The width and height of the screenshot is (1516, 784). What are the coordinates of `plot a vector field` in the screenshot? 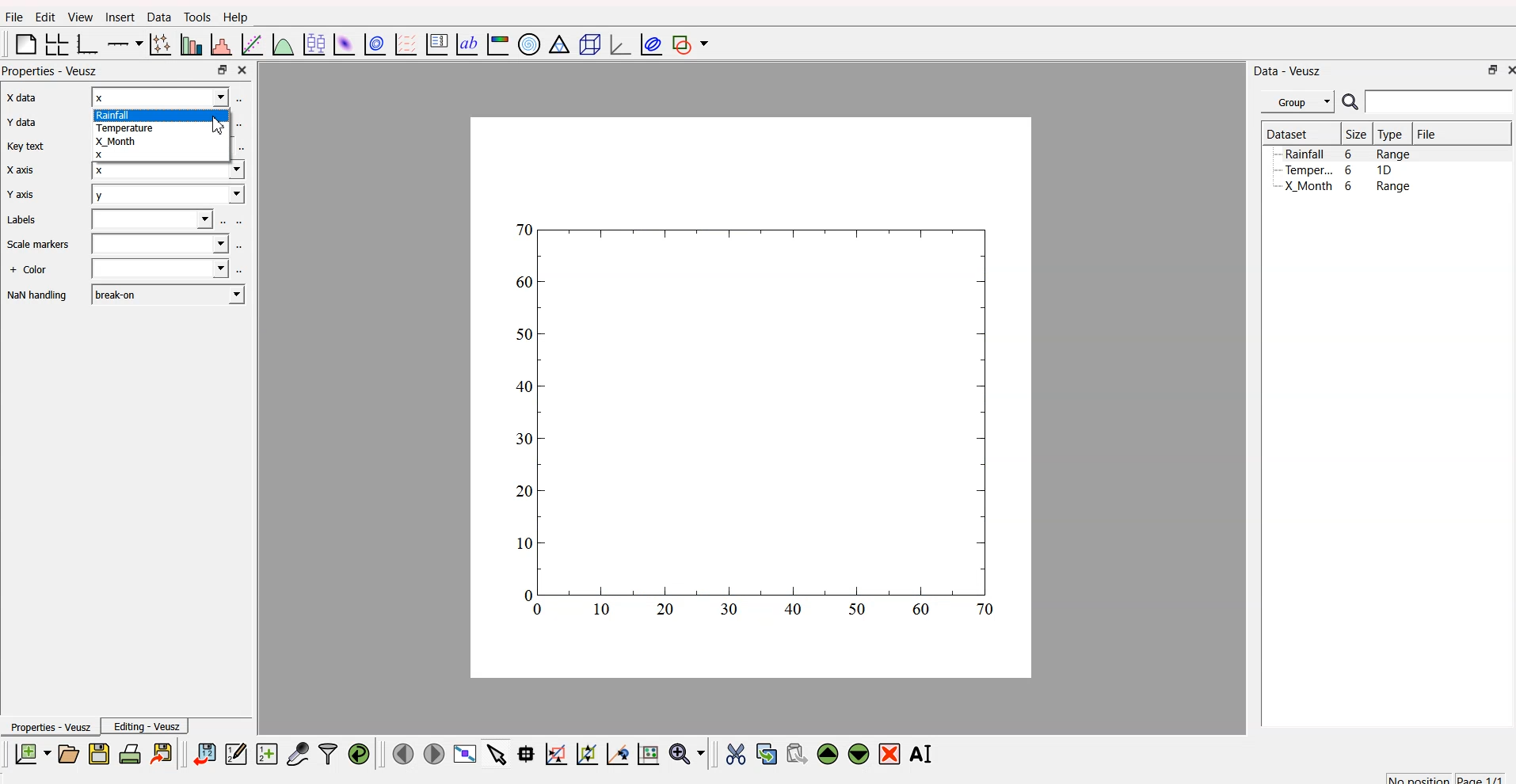 It's located at (404, 45).